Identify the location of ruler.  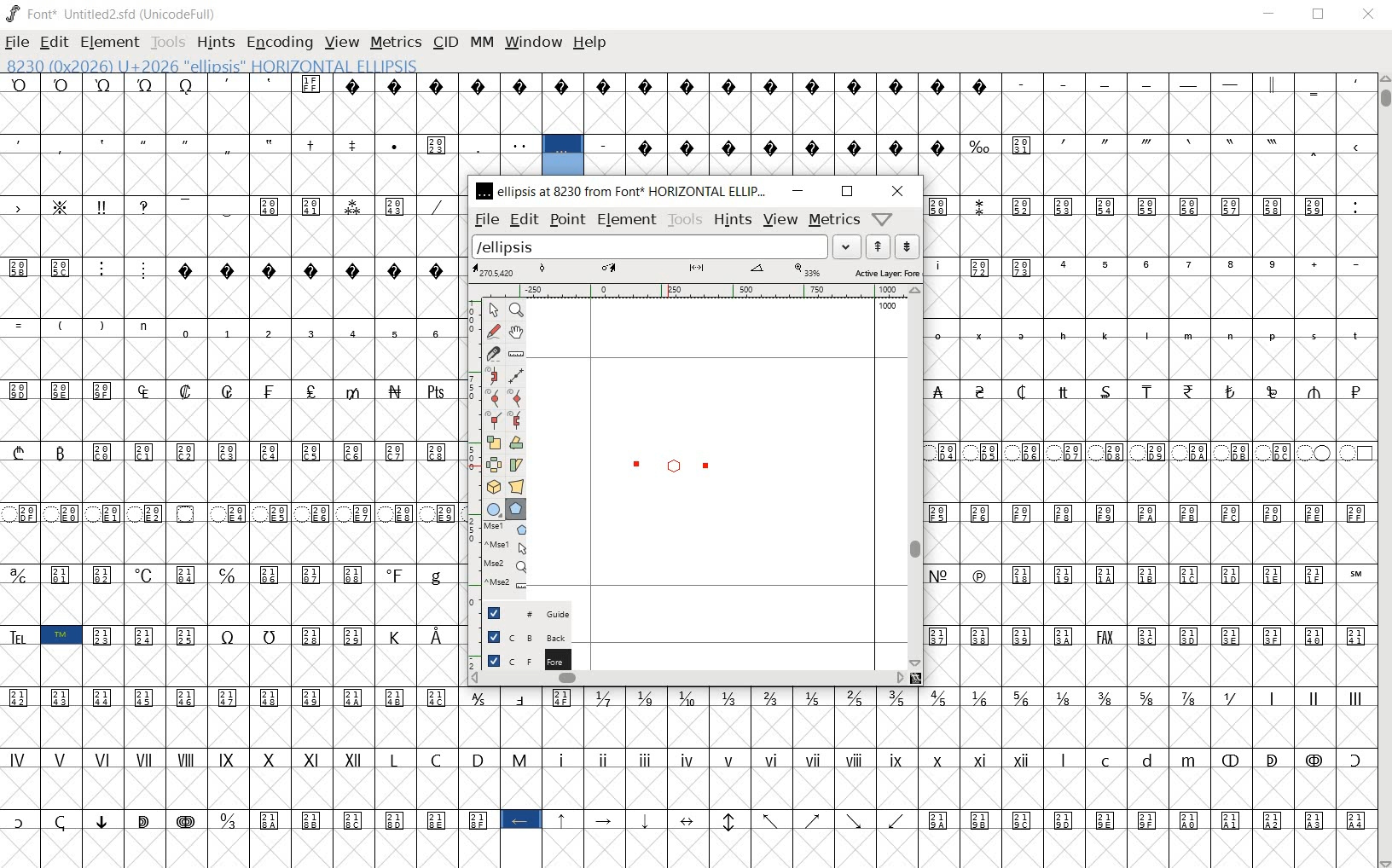
(707, 290).